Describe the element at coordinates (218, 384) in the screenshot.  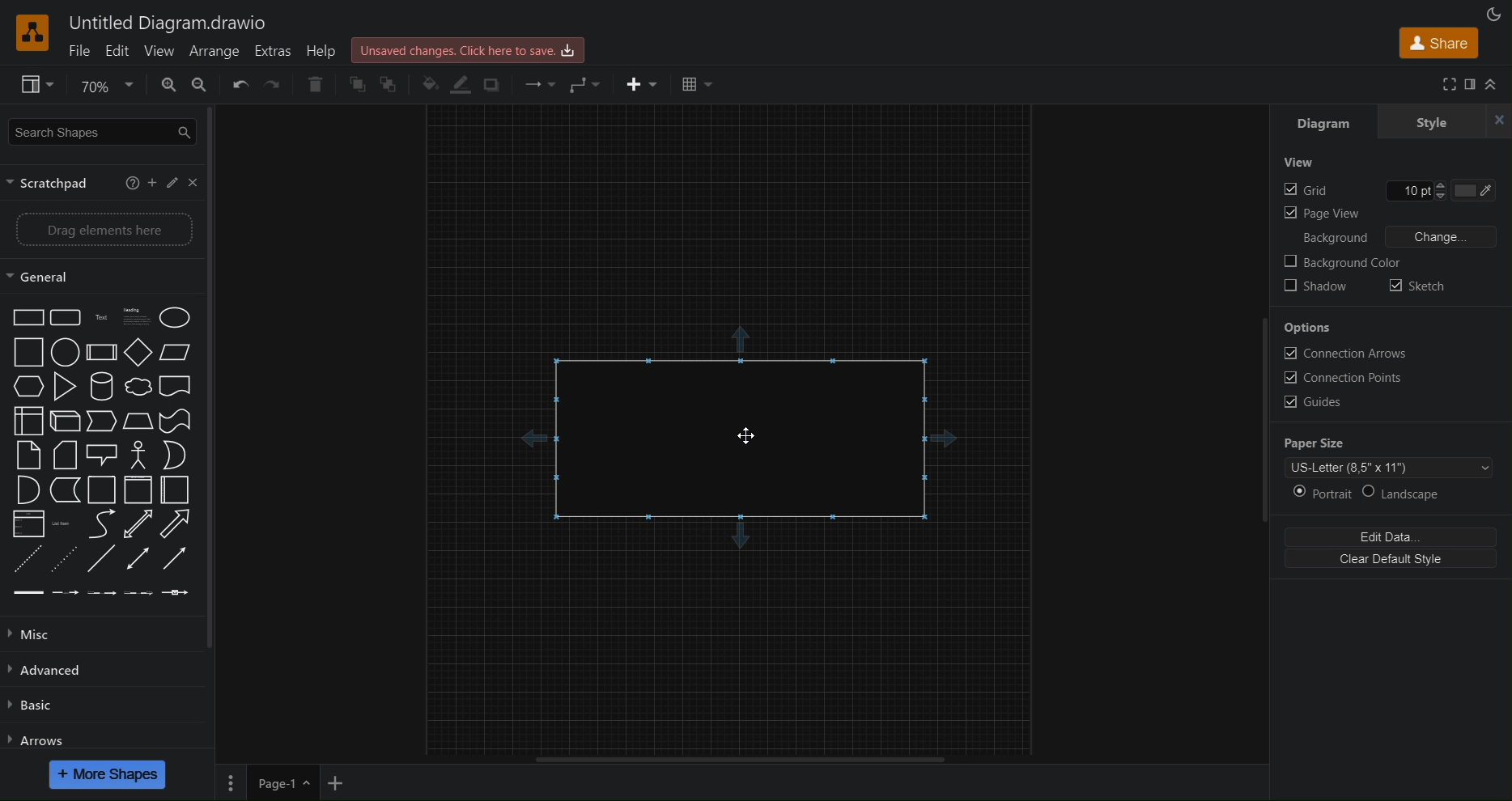
I see `Scrollbar` at that location.